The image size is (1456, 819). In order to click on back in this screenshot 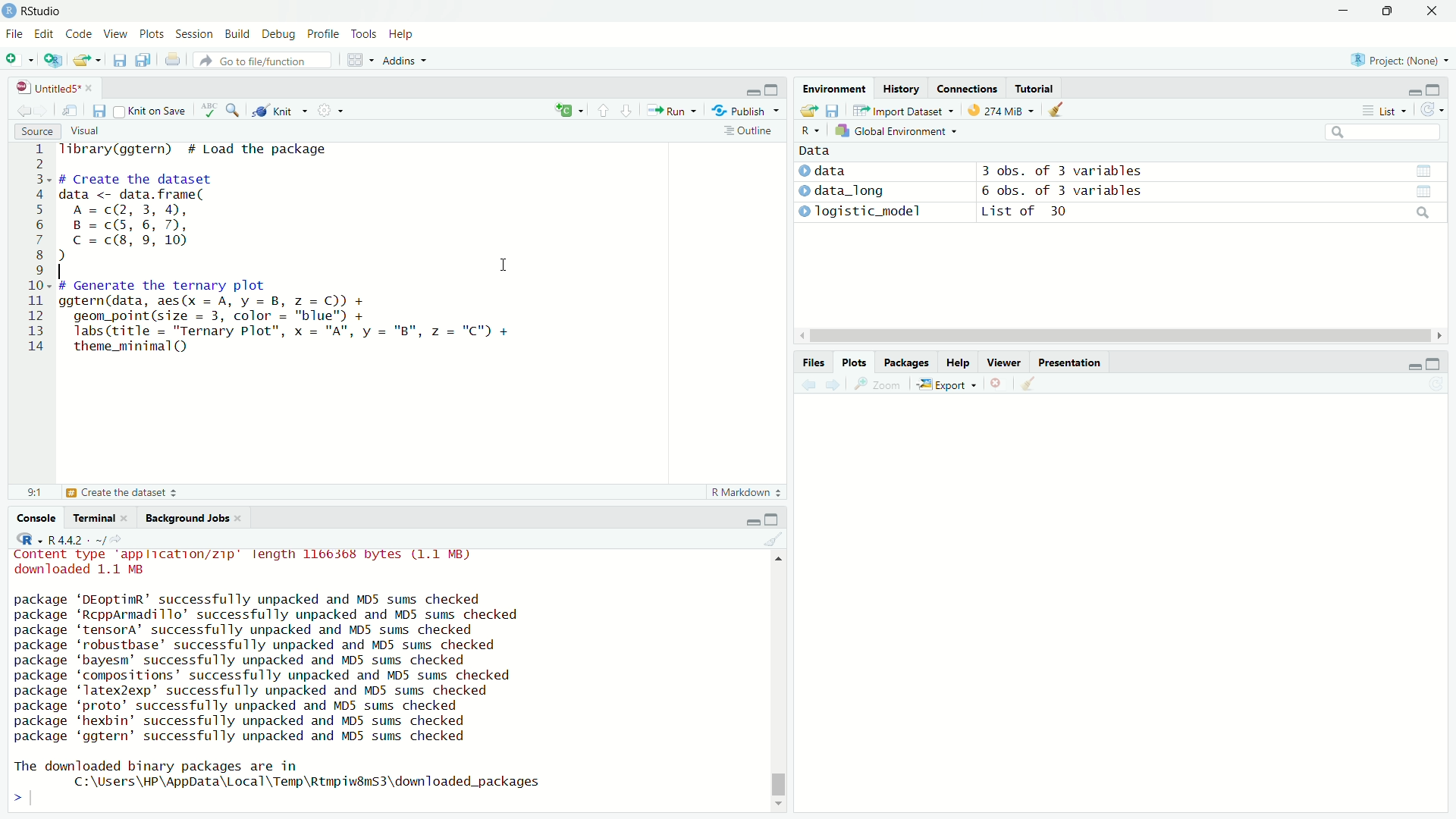, I will do `click(21, 108)`.